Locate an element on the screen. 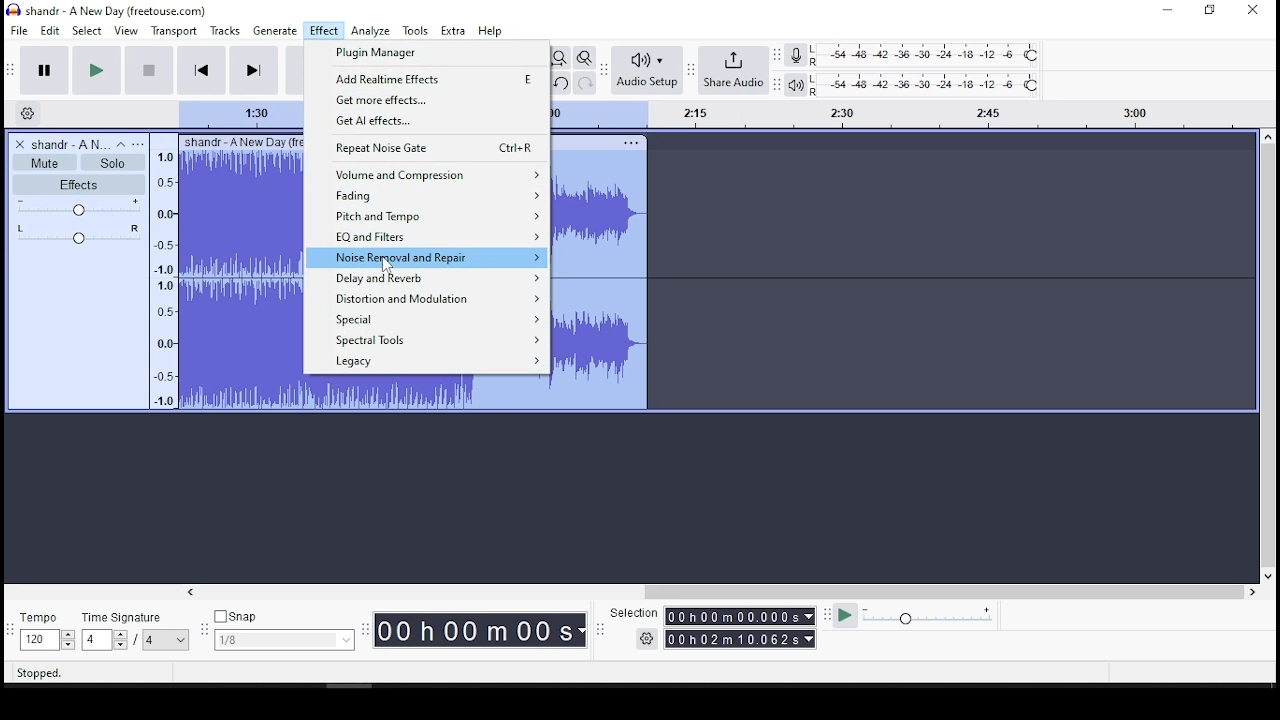 The width and height of the screenshot is (1280, 720). repeat noise gate is located at coordinates (427, 147).